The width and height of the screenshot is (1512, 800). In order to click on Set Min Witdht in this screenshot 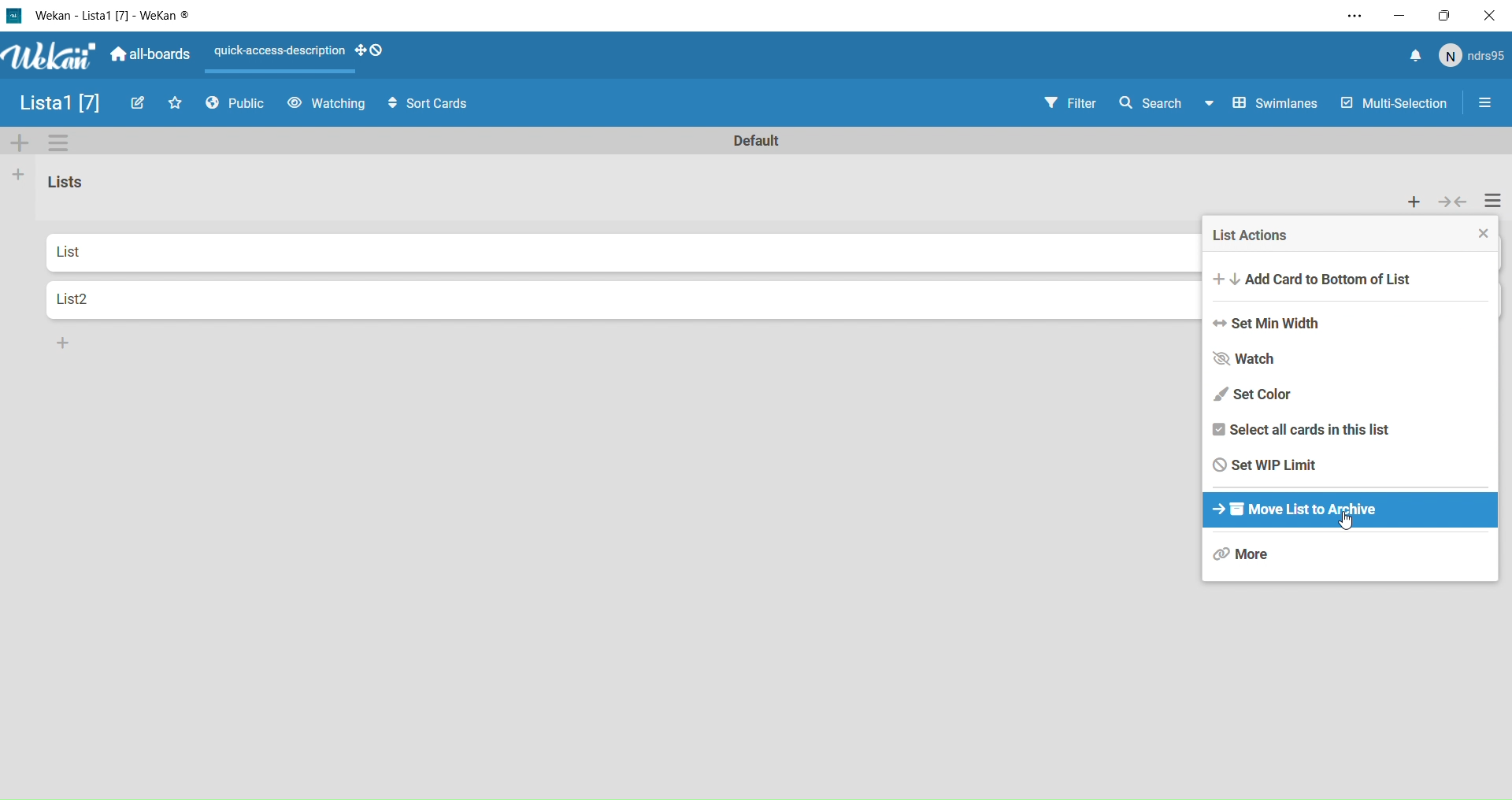, I will do `click(1273, 325)`.